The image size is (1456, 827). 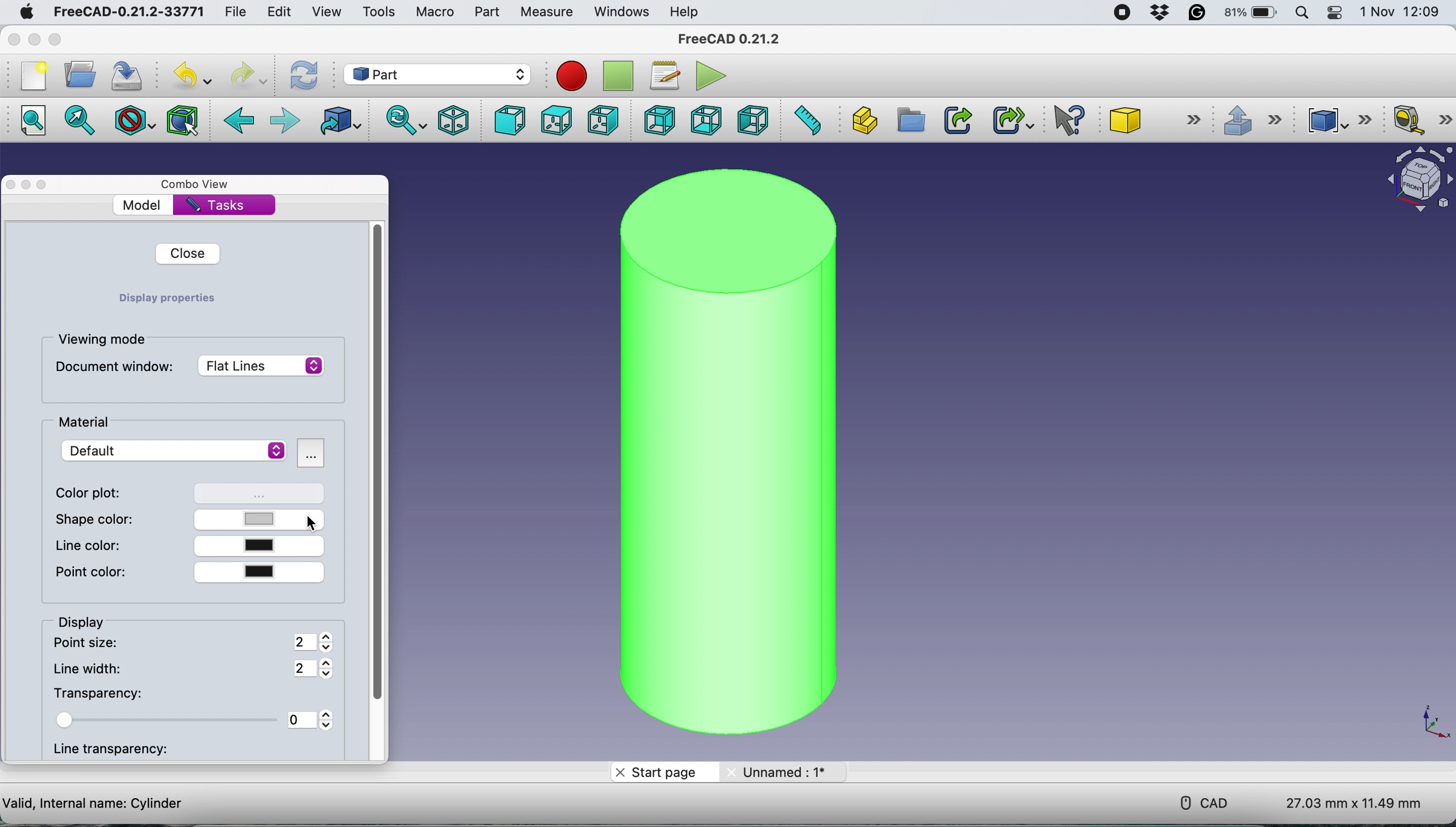 I want to click on line transparency, so click(x=119, y=751).